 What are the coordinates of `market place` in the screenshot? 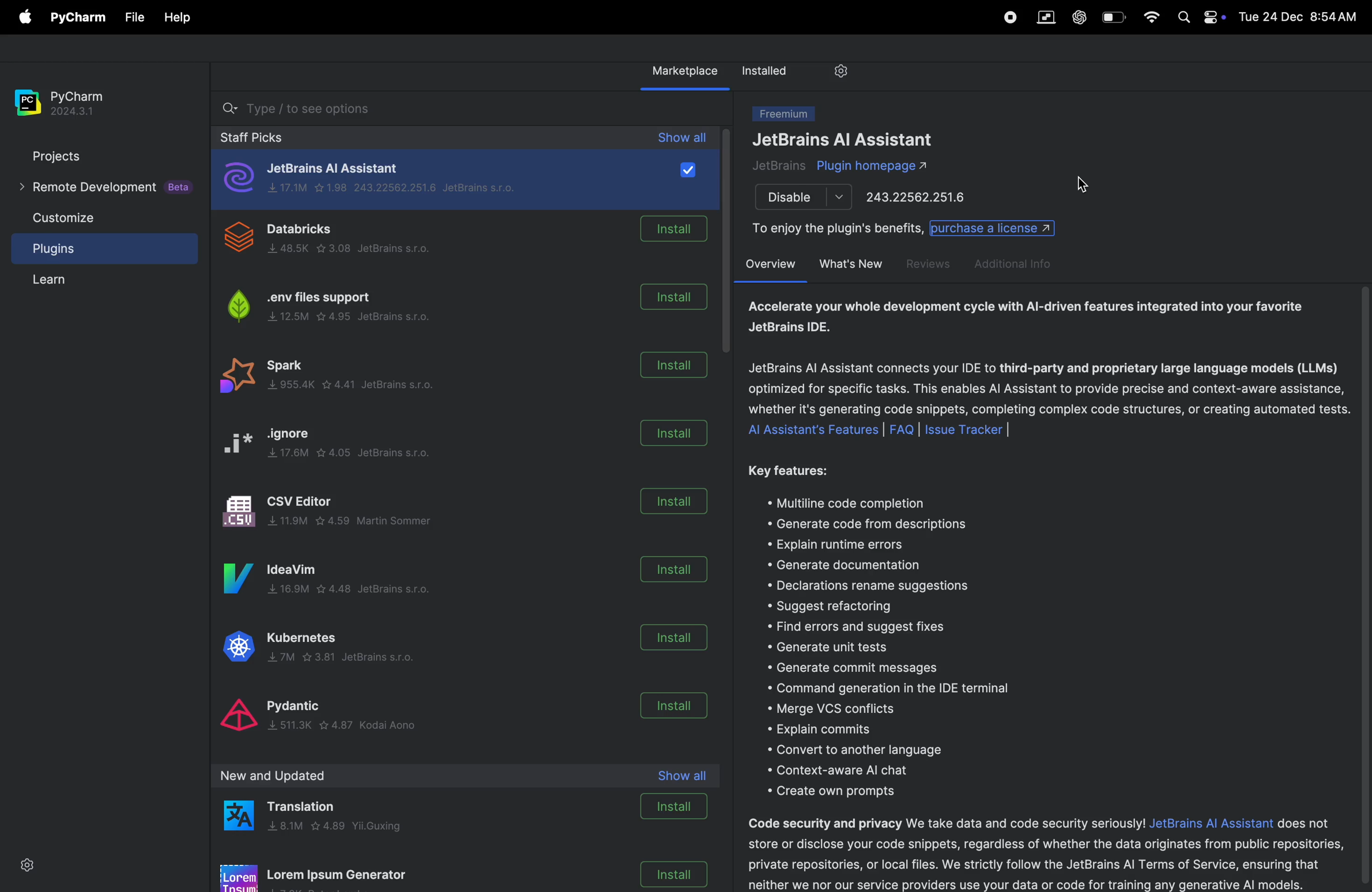 It's located at (684, 71).